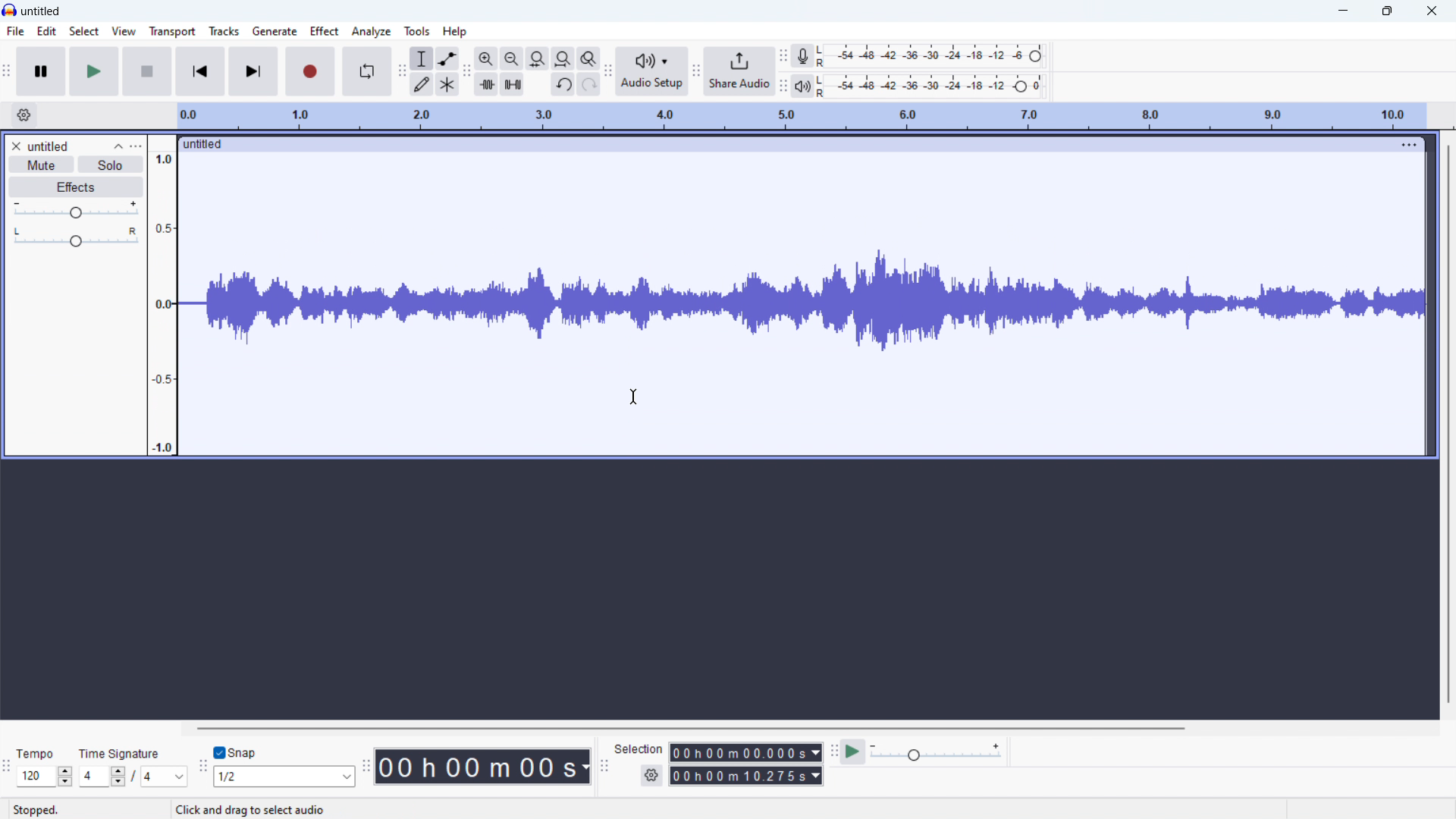 This screenshot has width=1456, height=819. What do you see at coordinates (696, 74) in the screenshot?
I see `share audio toolbar` at bounding box center [696, 74].